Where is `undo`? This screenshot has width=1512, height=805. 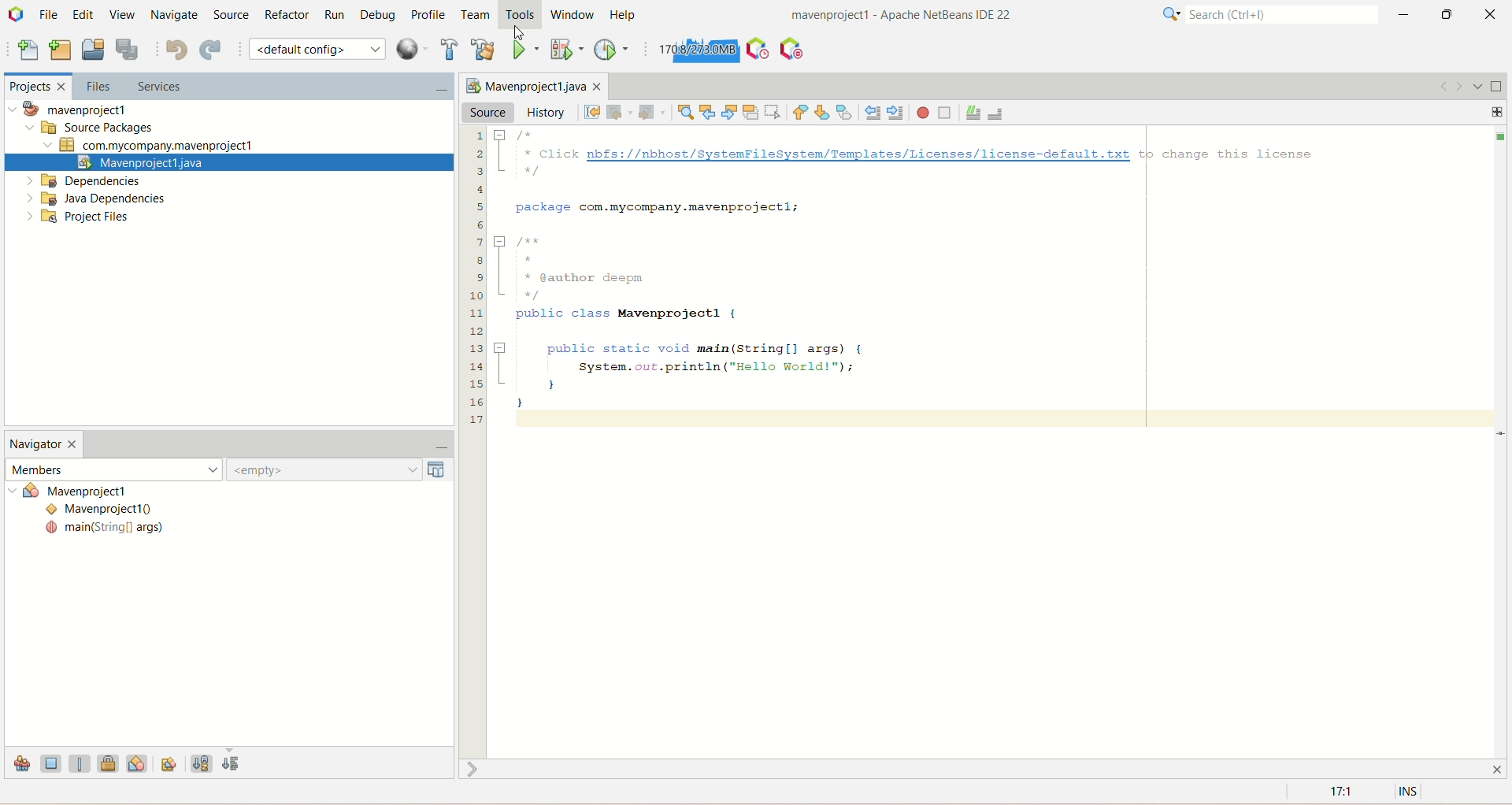 undo is located at coordinates (176, 50).